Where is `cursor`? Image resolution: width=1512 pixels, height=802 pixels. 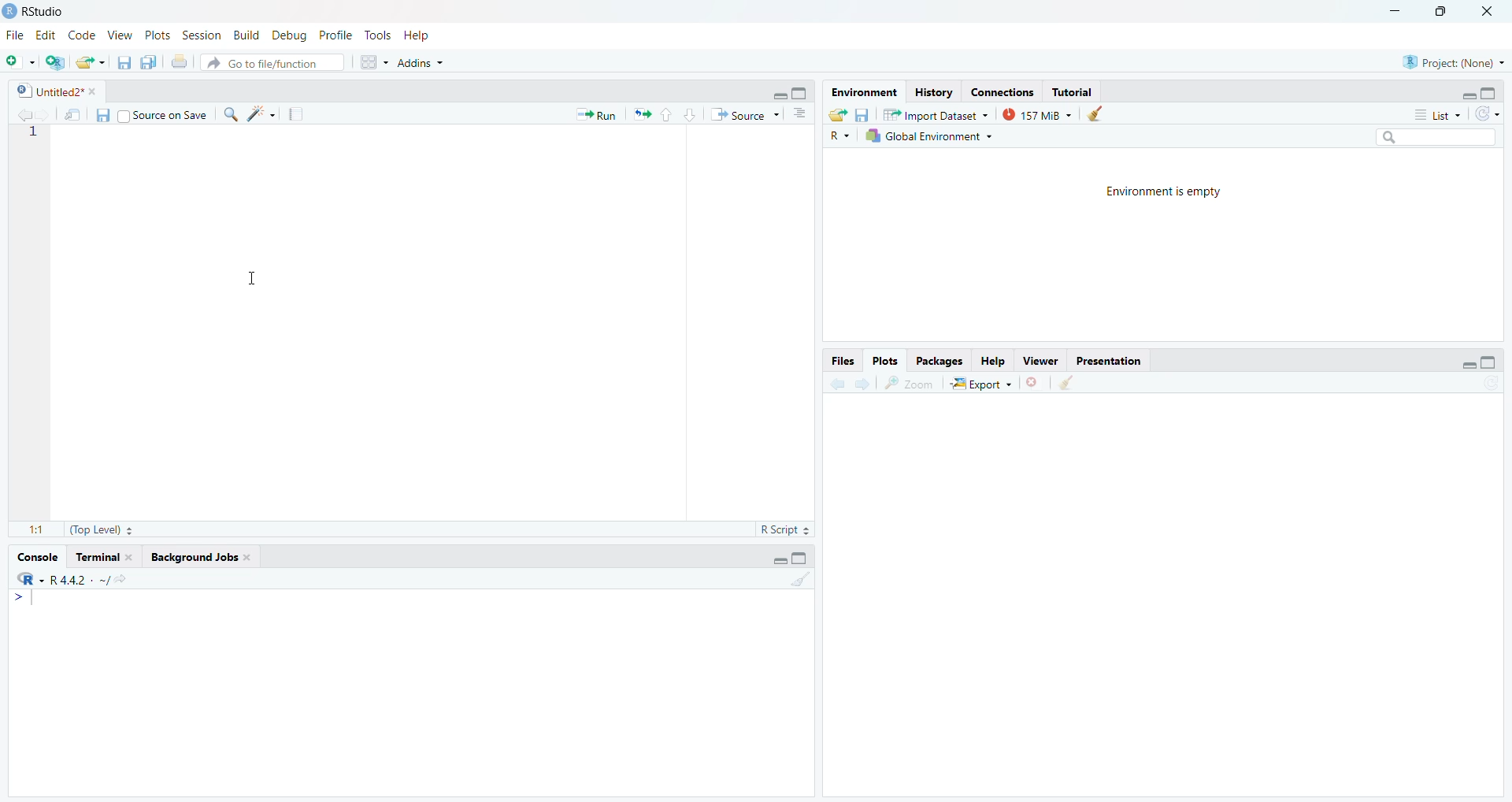
cursor is located at coordinates (252, 279).